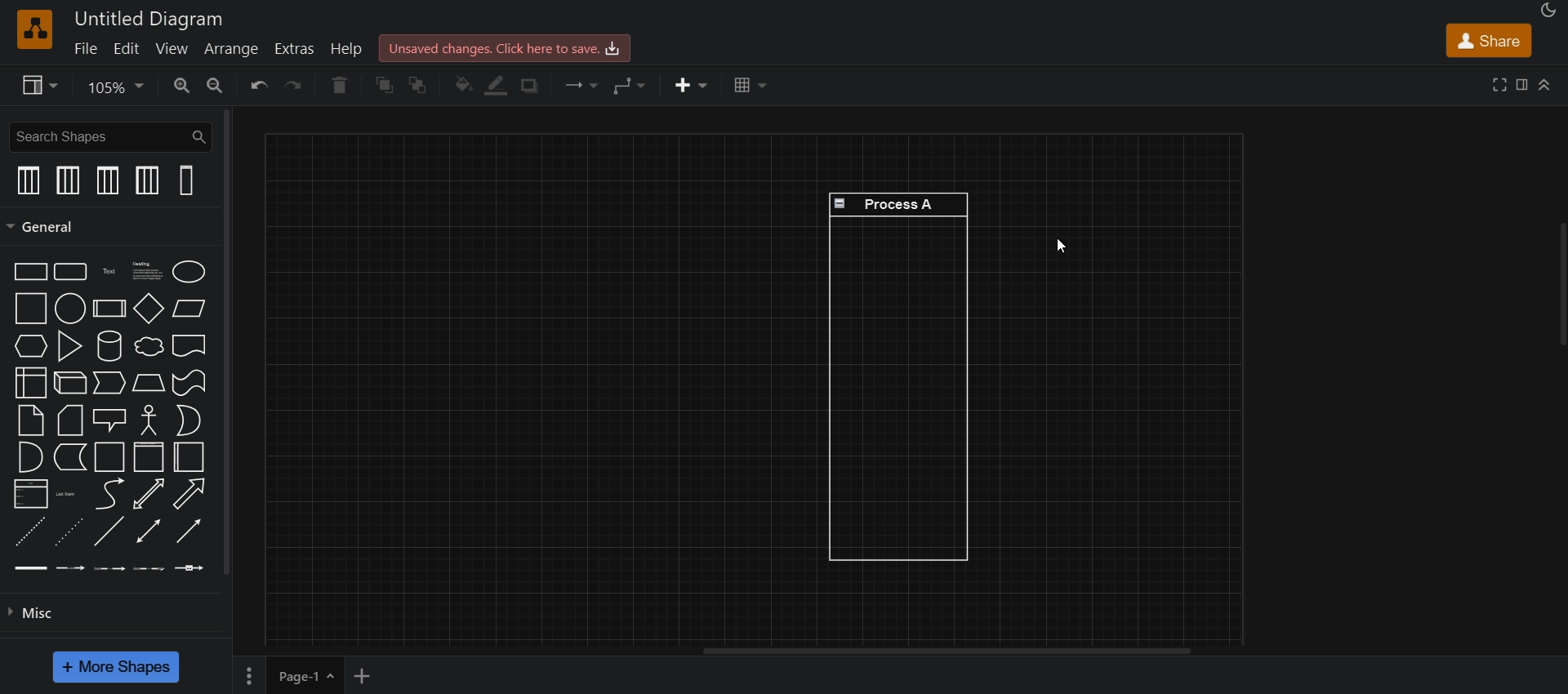  Describe the element at coordinates (69, 182) in the screenshot. I see `vertical pool 2` at that location.